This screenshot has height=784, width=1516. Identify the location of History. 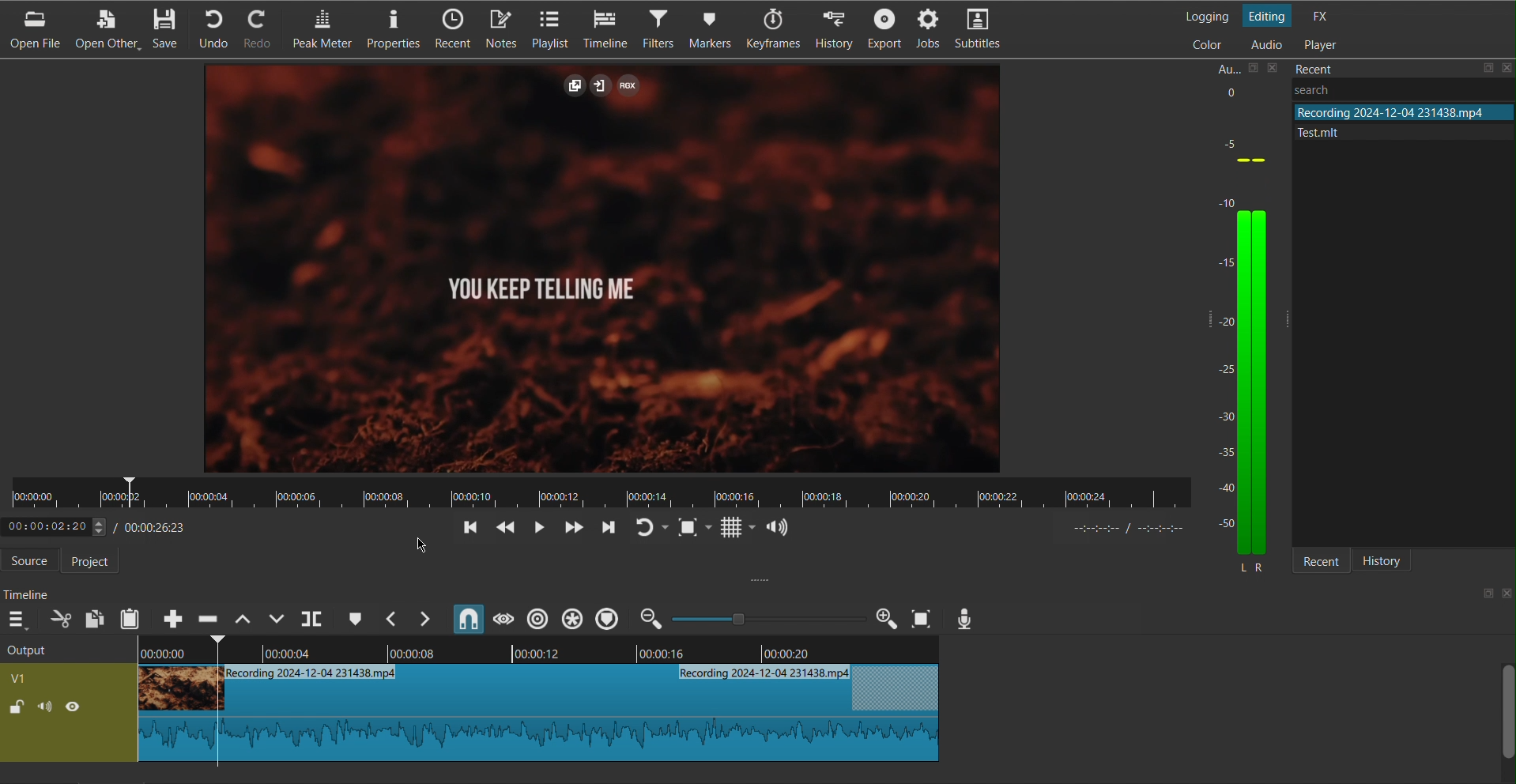
(1391, 561).